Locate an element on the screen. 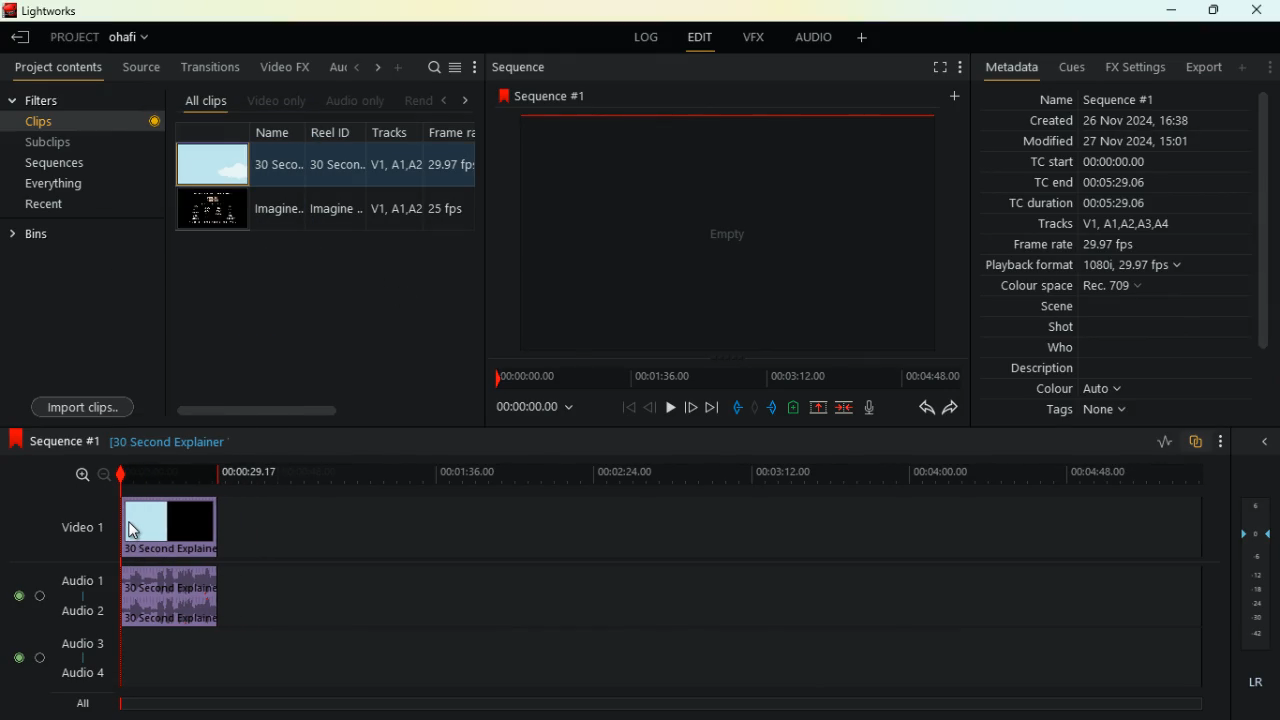  sequence is located at coordinates (519, 69).